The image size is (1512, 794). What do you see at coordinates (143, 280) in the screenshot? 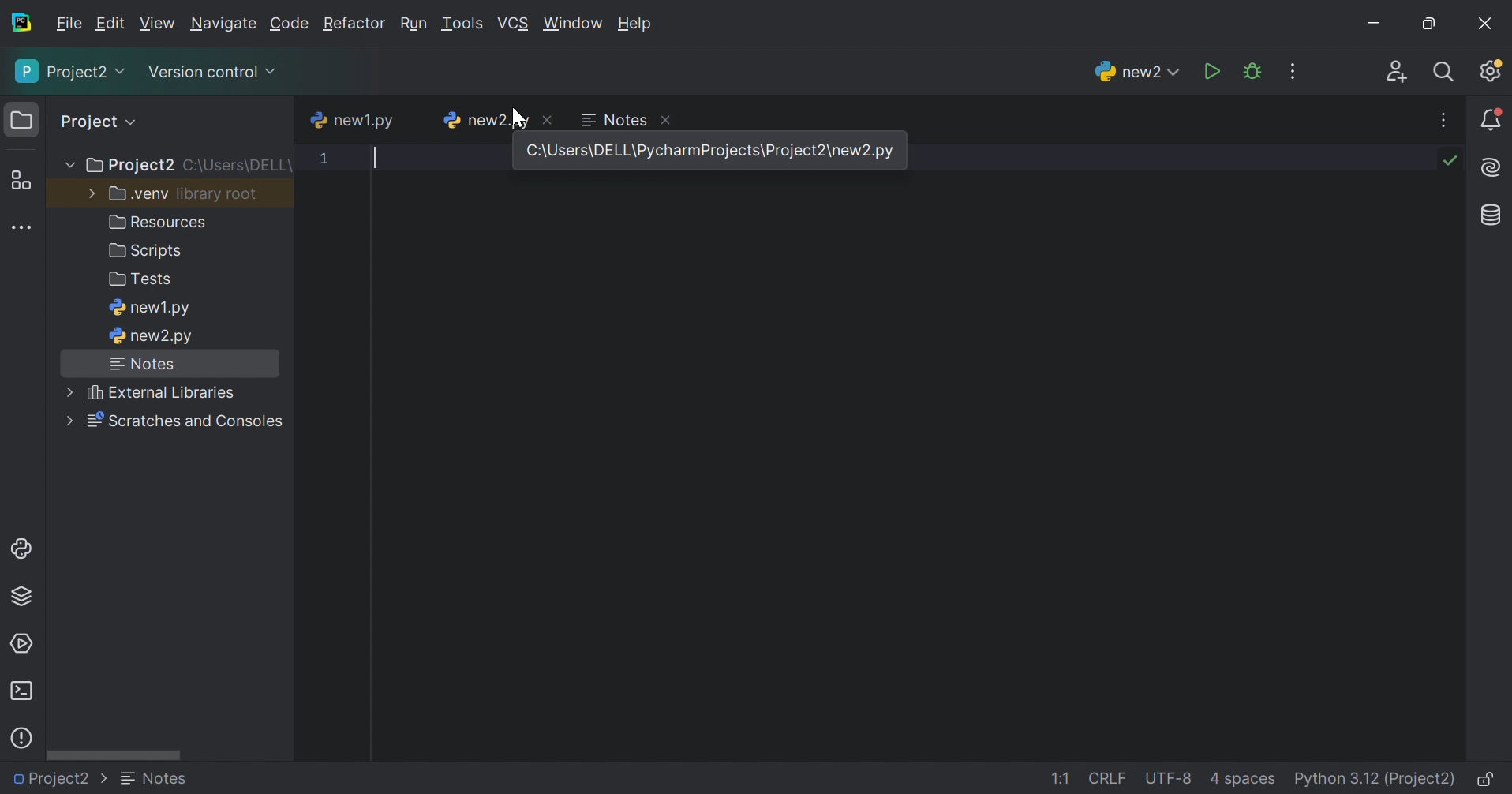
I see `Tests` at bounding box center [143, 280].